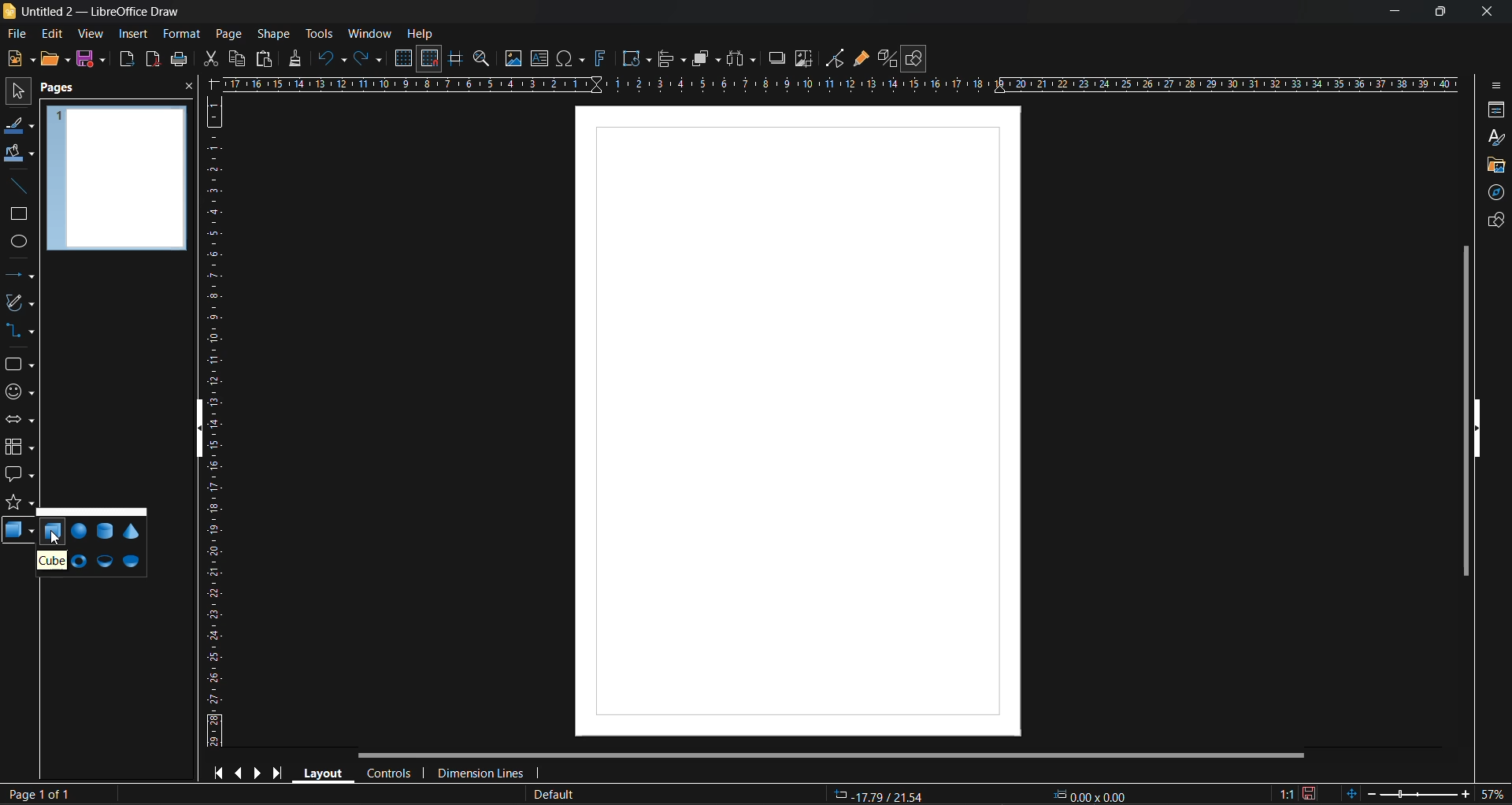 This screenshot has width=1512, height=805. Describe the element at coordinates (1371, 792) in the screenshot. I see `zoom out` at that location.